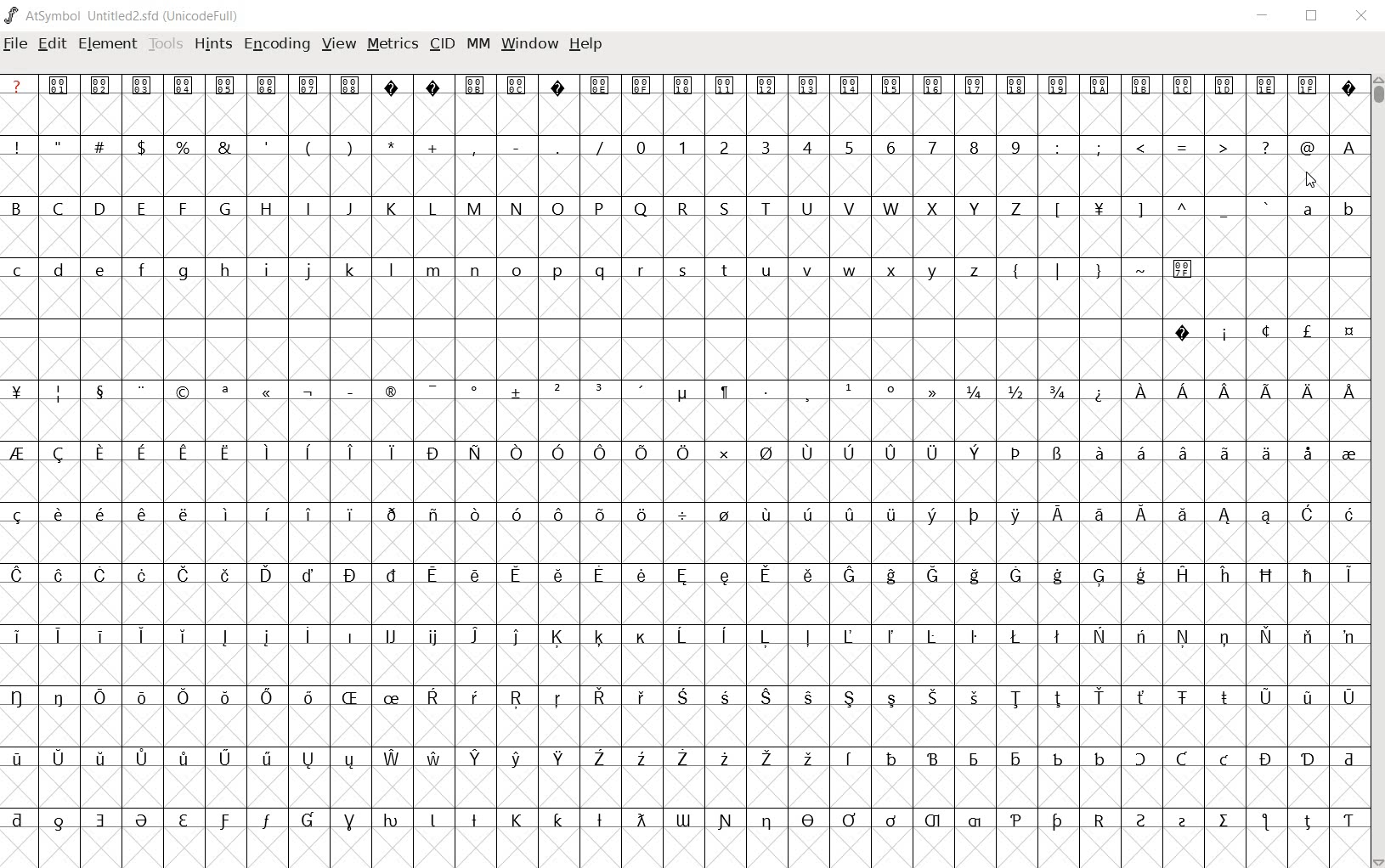  I want to click on EDIT, so click(53, 44).